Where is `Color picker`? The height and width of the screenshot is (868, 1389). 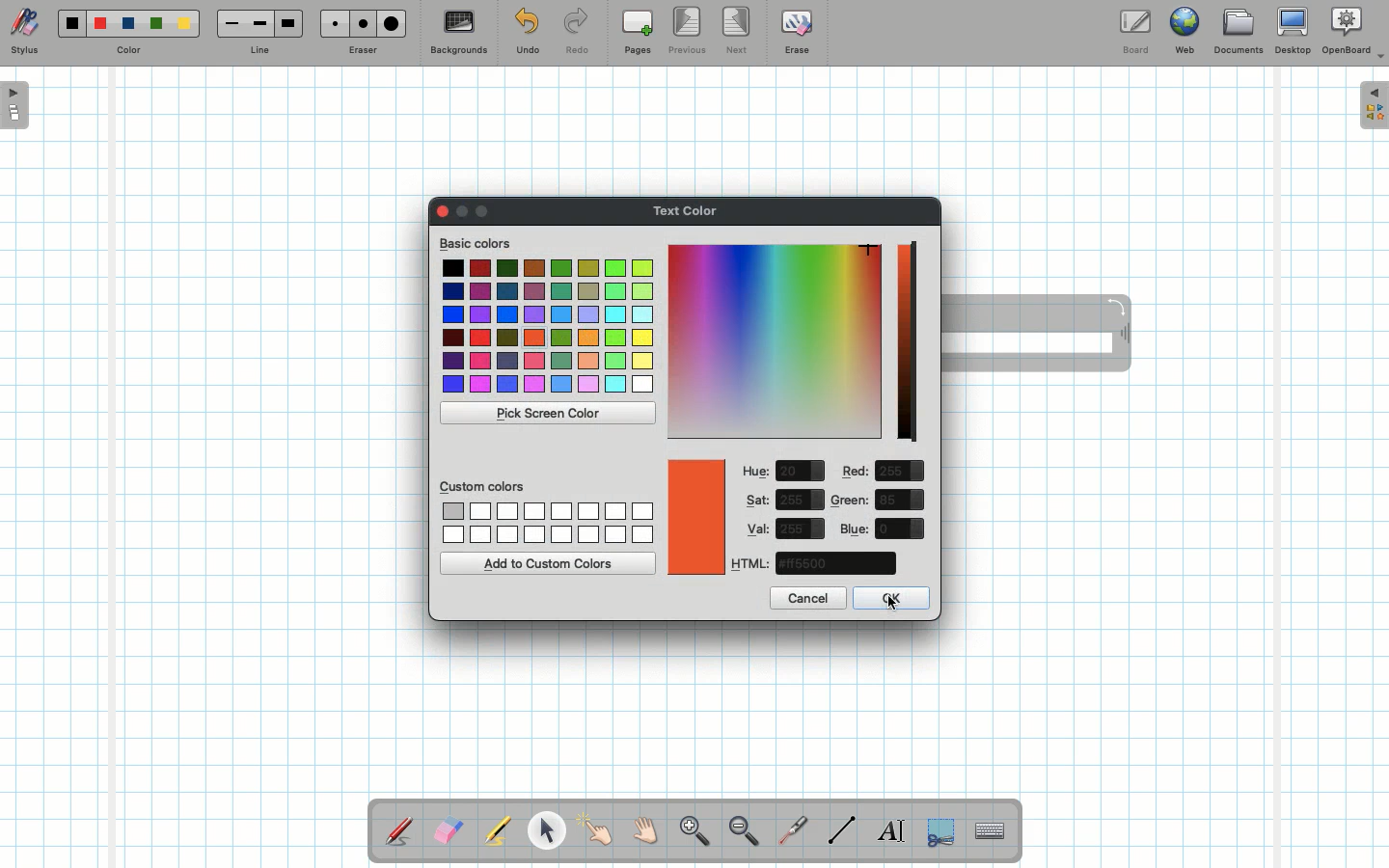
Color picker is located at coordinates (775, 341).